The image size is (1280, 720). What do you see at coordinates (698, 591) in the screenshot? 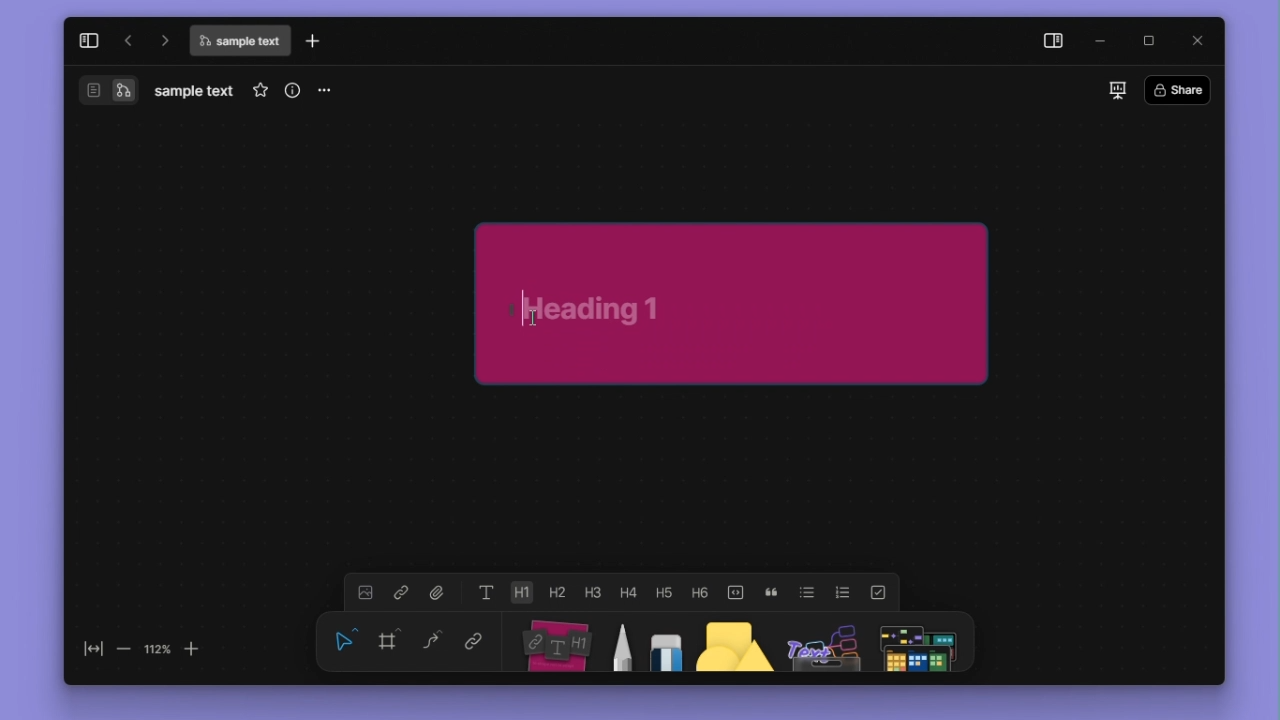
I see `Heading 6` at bounding box center [698, 591].